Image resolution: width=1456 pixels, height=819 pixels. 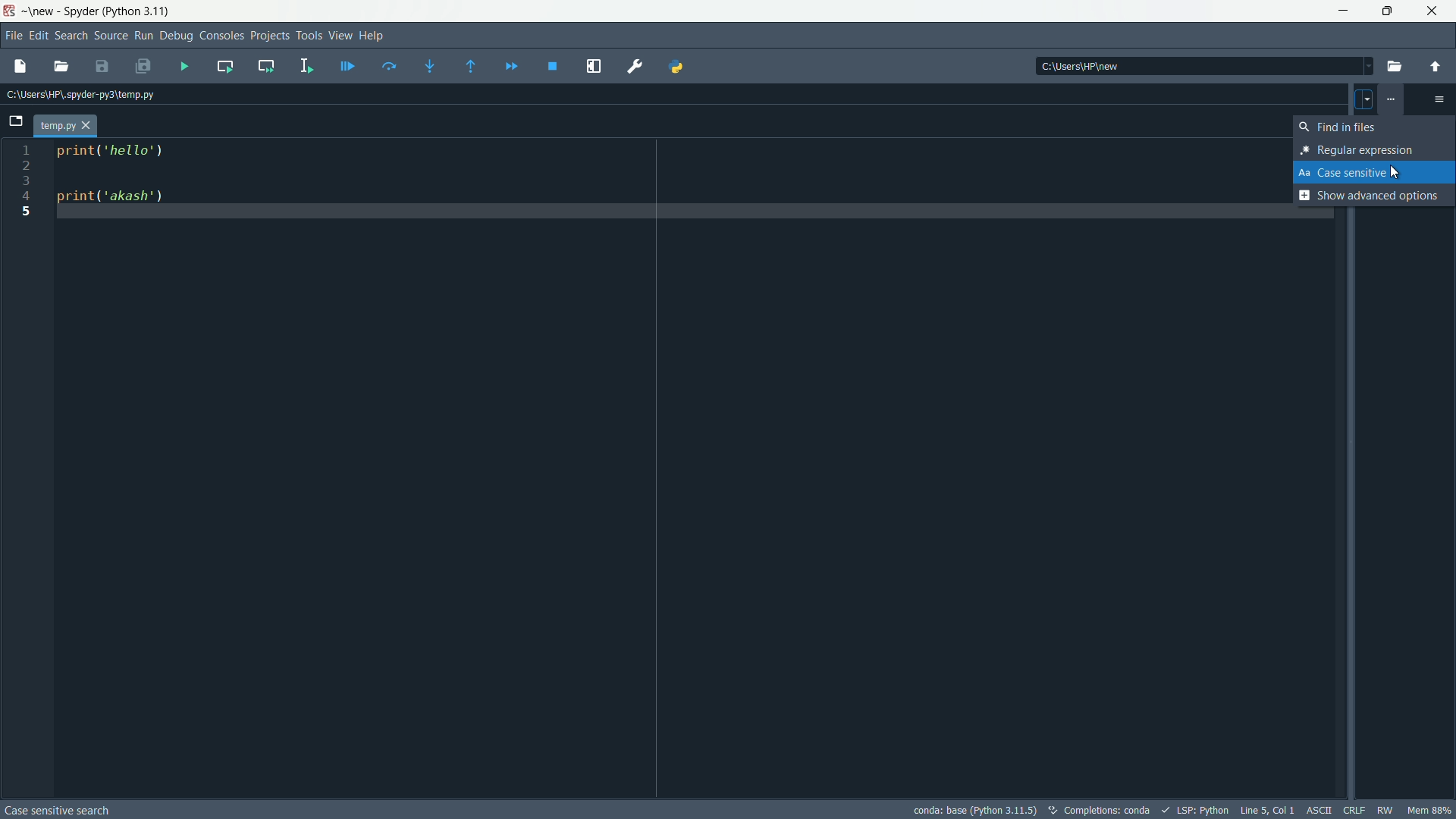 I want to click on Find in file, so click(x=1344, y=128).